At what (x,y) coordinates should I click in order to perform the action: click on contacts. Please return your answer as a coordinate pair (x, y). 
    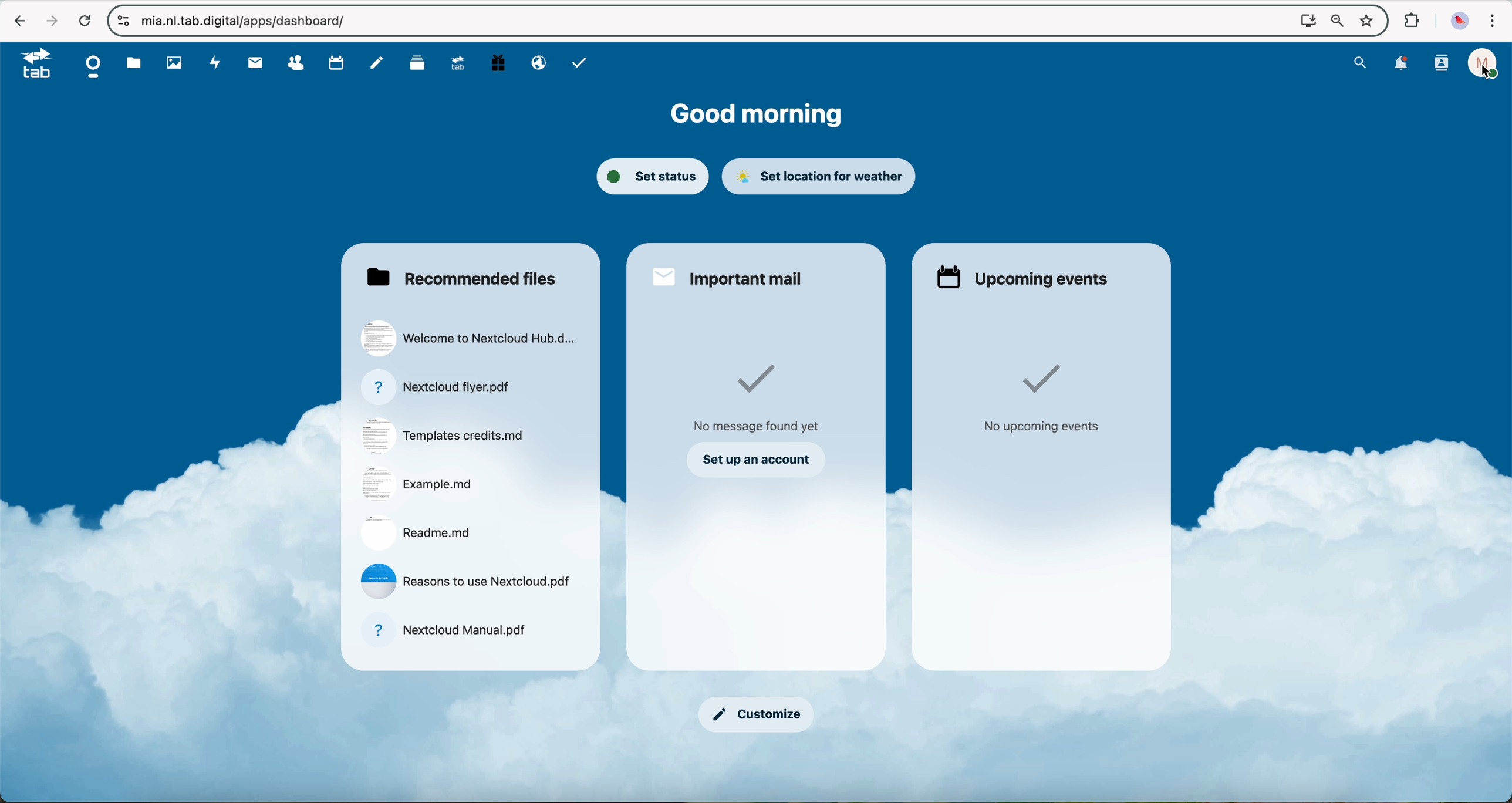
    Looking at the image, I should click on (1441, 64).